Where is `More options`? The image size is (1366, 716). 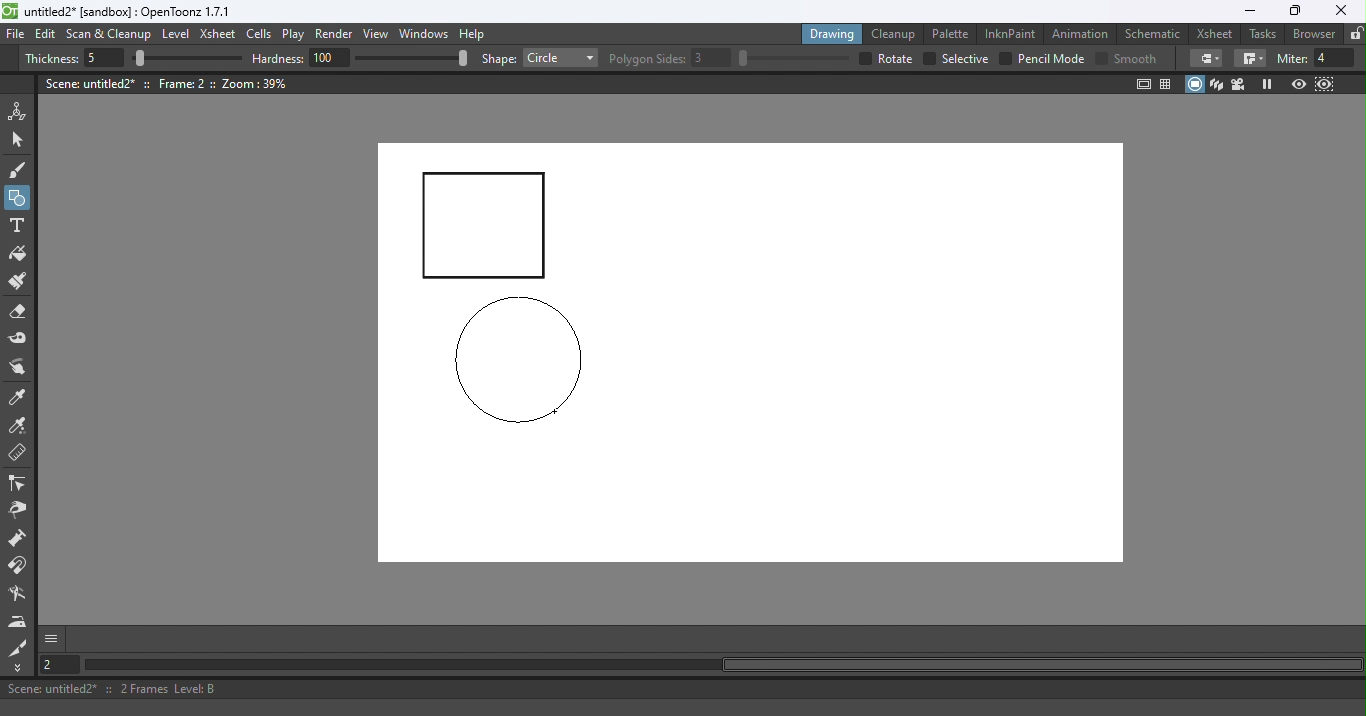 More options is located at coordinates (51, 638).